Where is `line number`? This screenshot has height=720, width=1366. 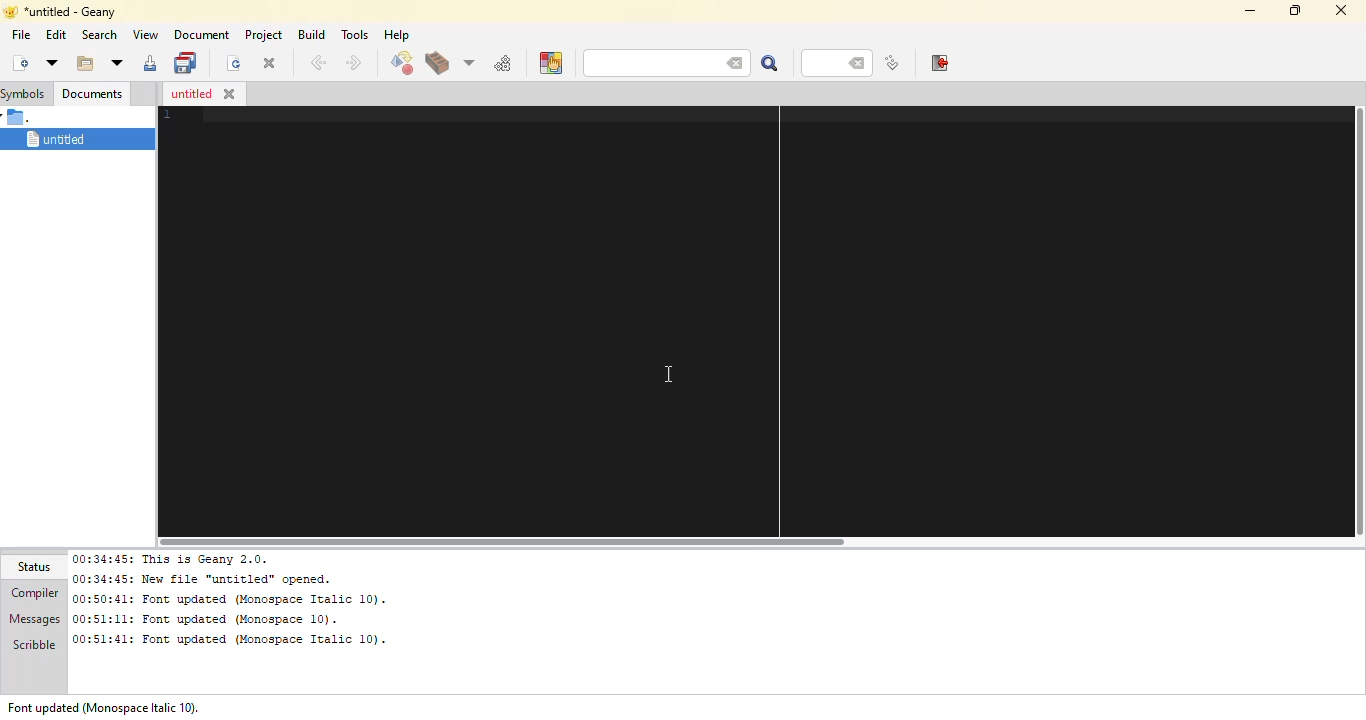
line number is located at coordinates (826, 63).